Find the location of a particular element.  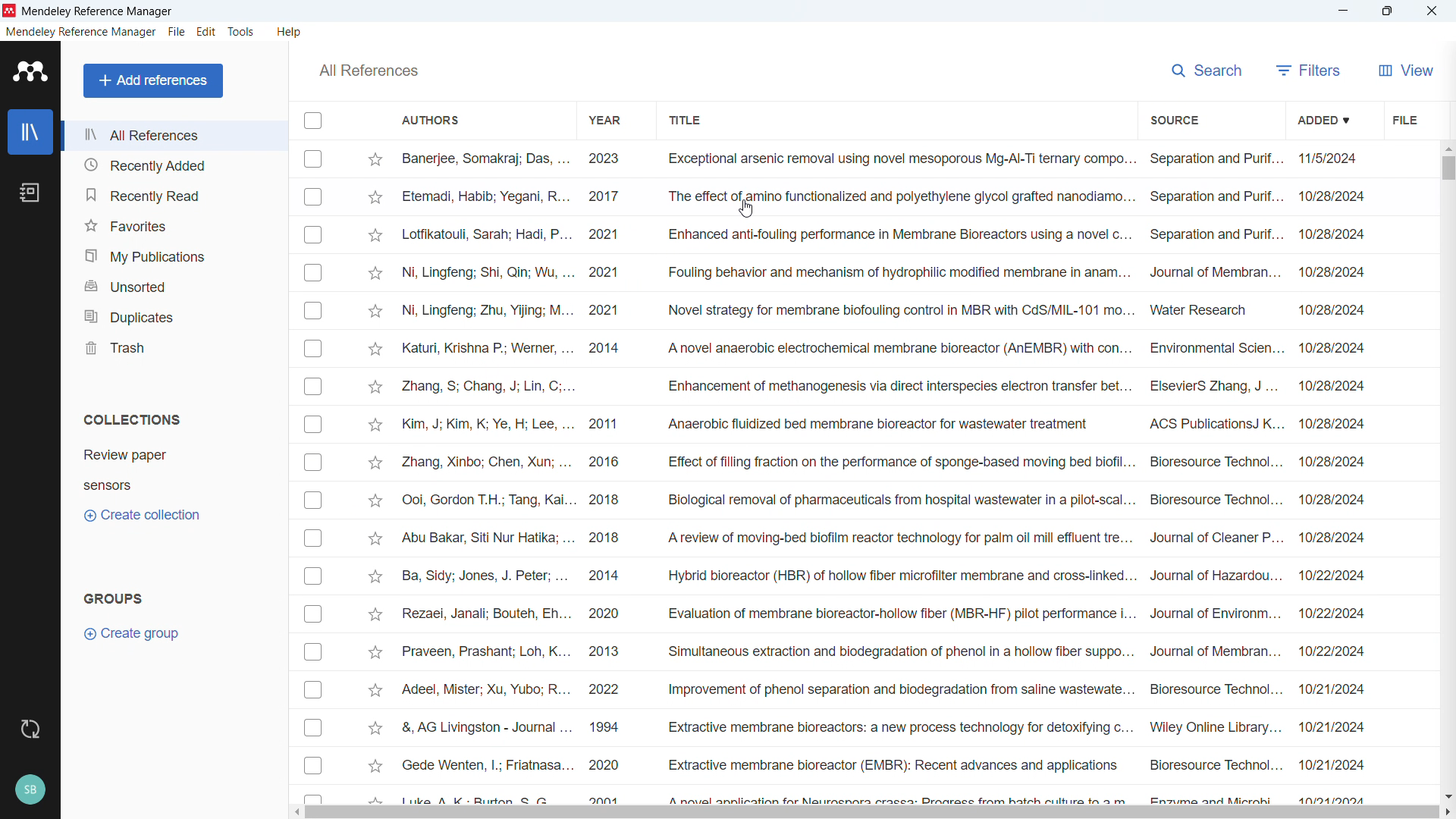

Title of individual entries  is located at coordinates (900, 475).